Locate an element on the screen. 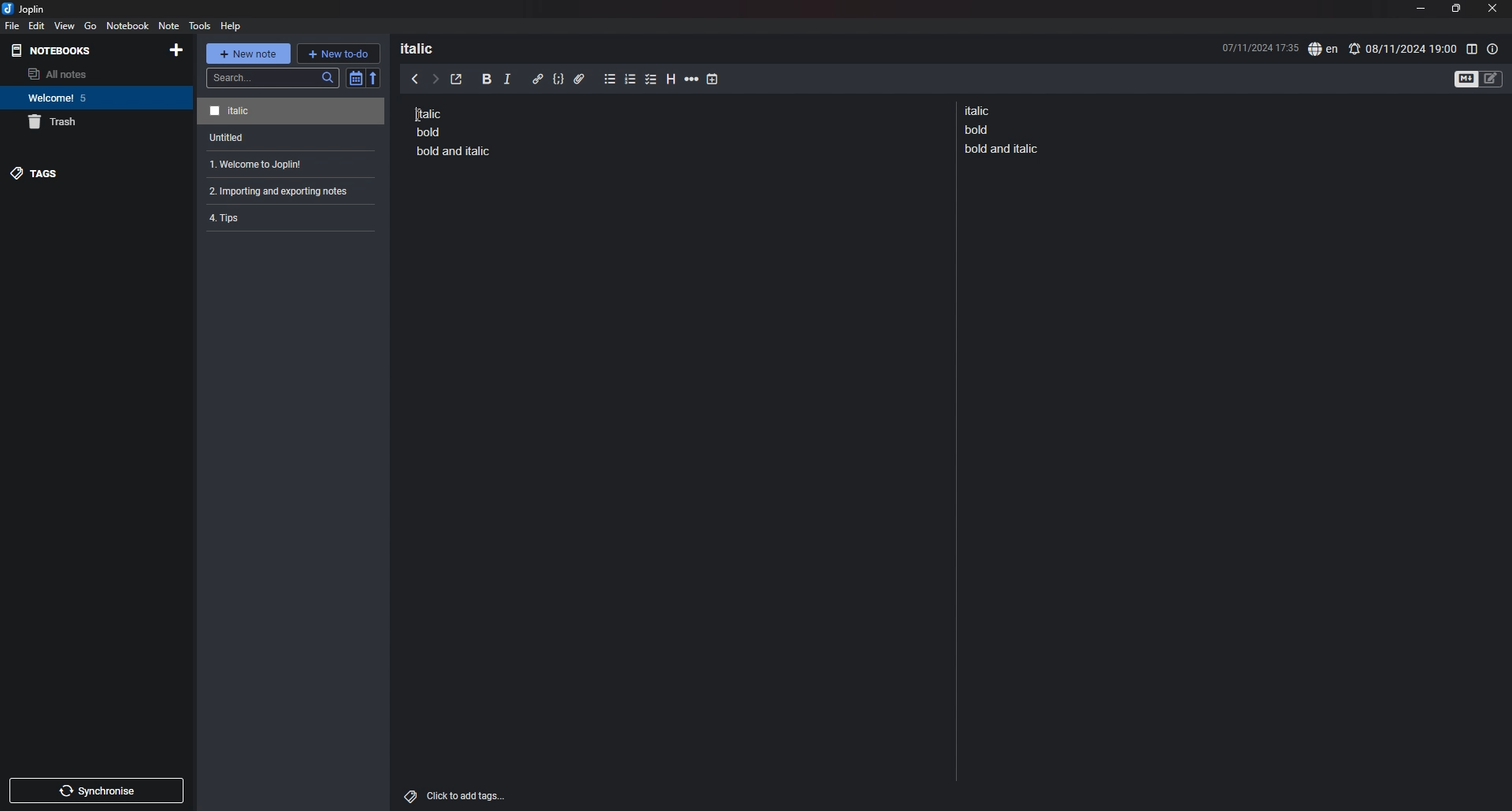 The width and height of the screenshot is (1512, 811). note is located at coordinates (454, 131).